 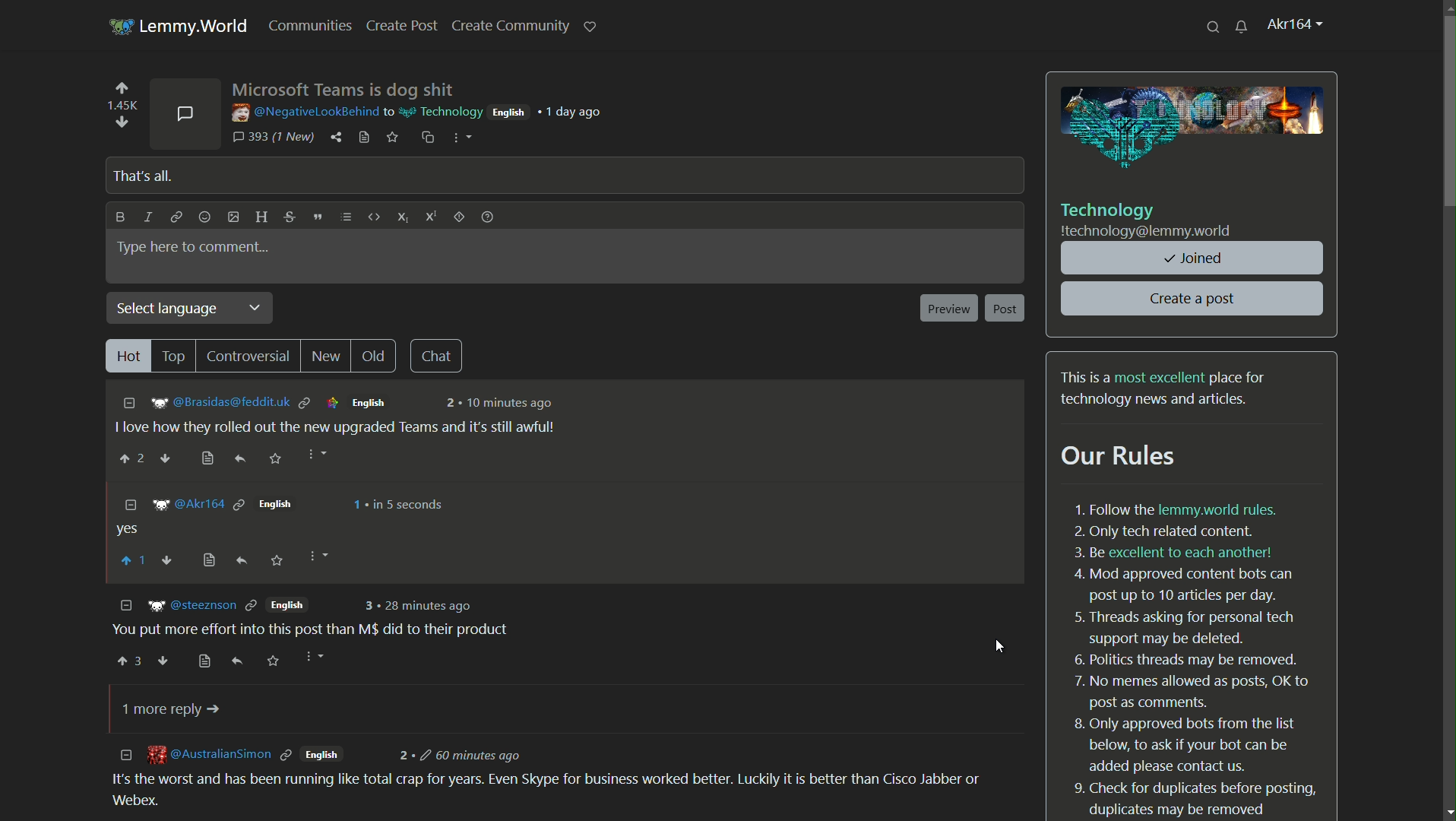 What do you see at coordinates (486, 219) in the screenshot?
I see `formatting help` at bounding box center [486, 219].